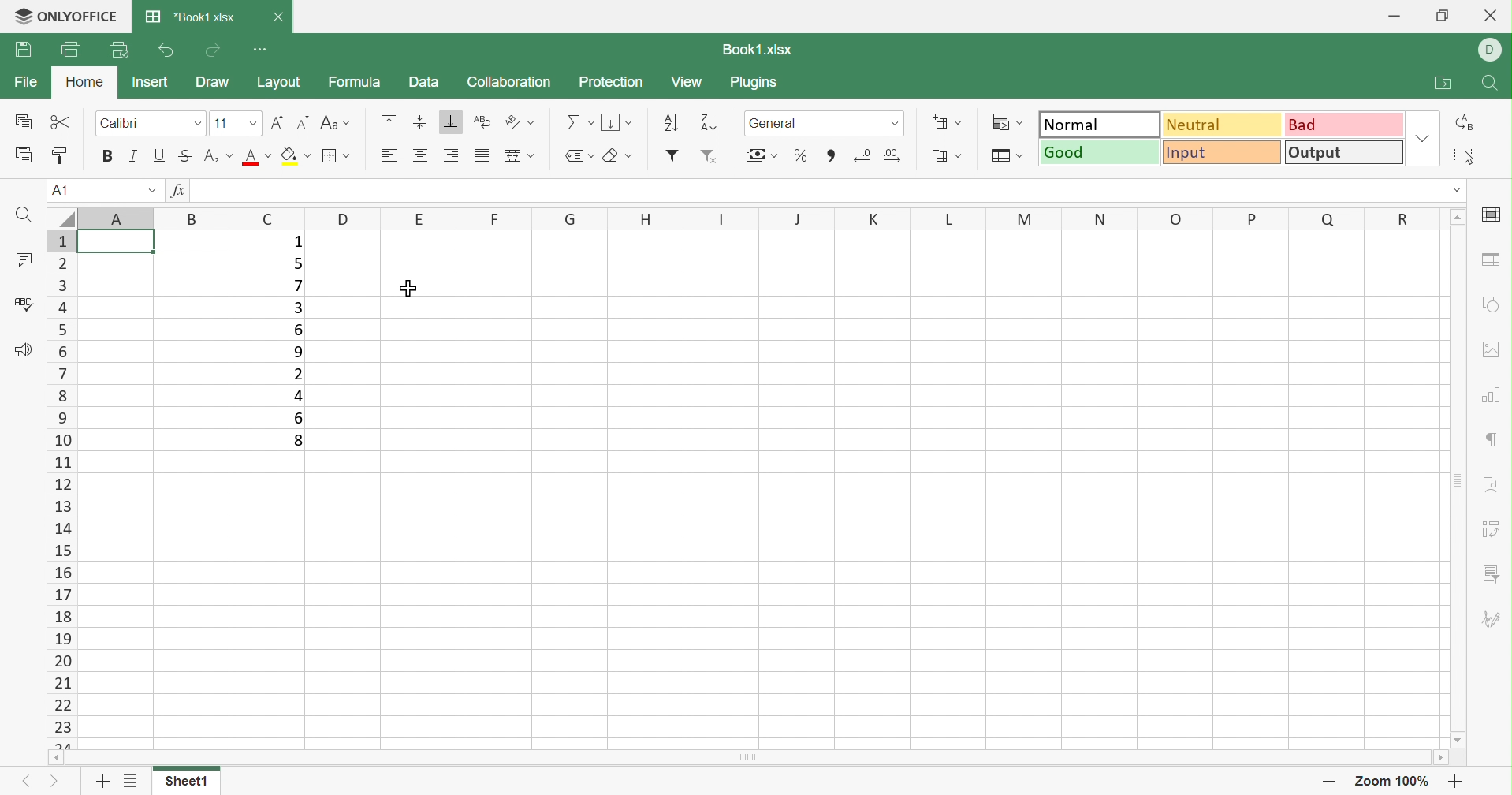 The width and height of the screenshot is (1512, 795). Describe the element at coordinates (1223, 154) in the screenshot. I see `Input` at that location.